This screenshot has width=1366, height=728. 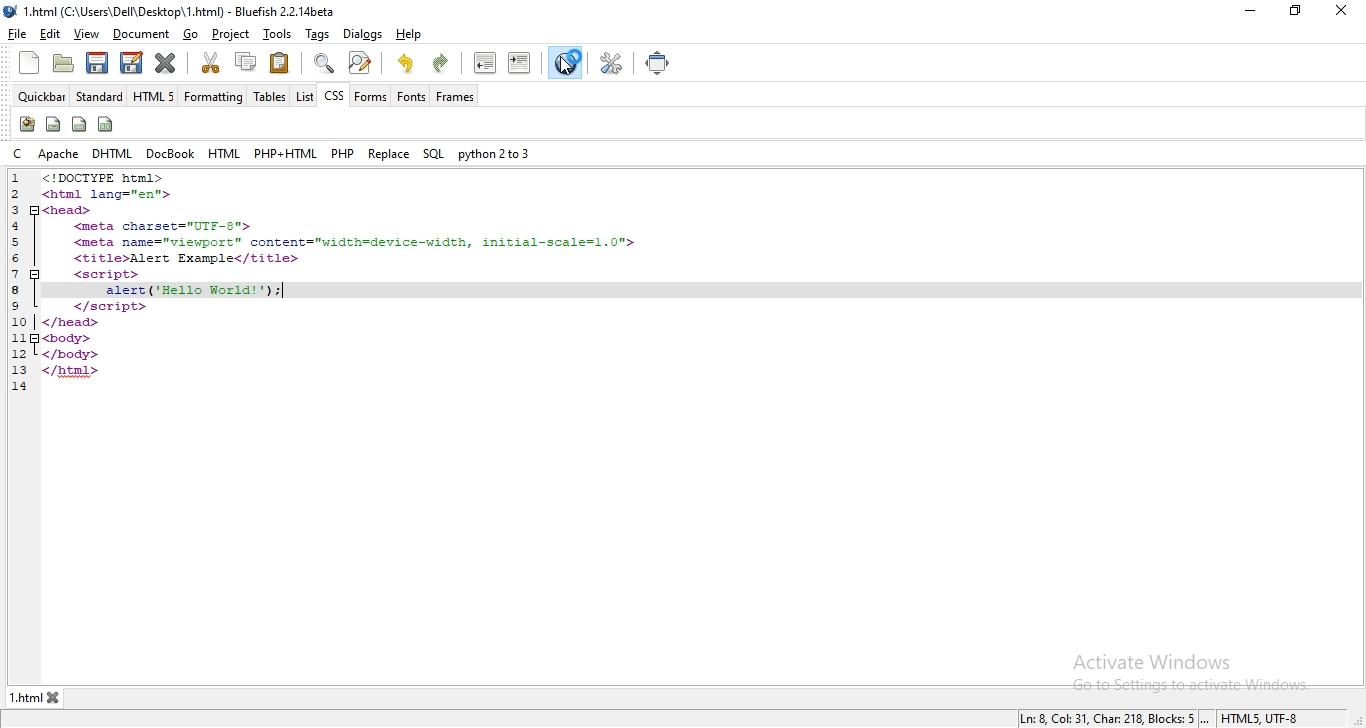 I want to click on css, so click(x=333, y=96).